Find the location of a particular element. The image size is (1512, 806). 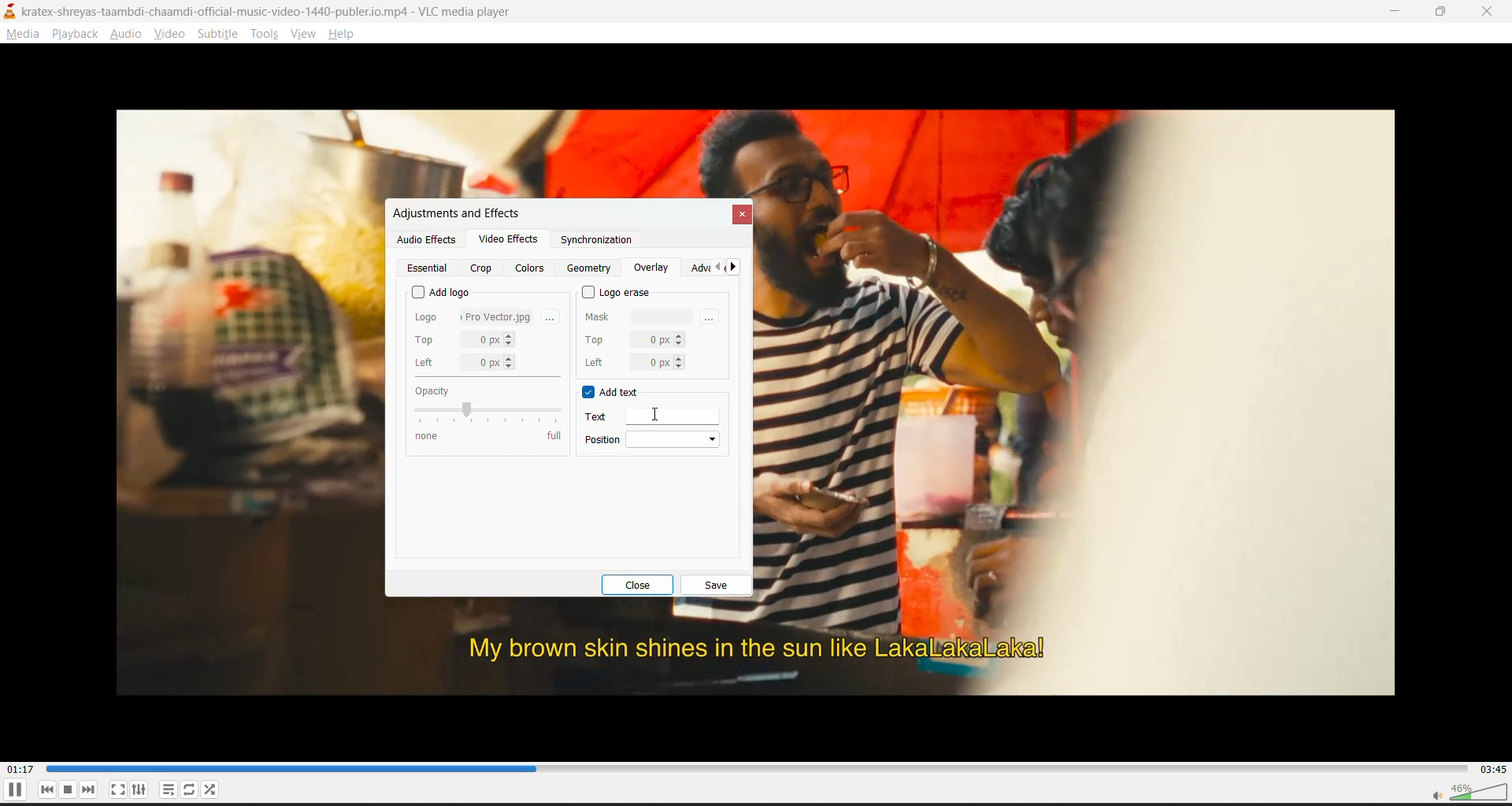

text is located at coordinates (658, 416).